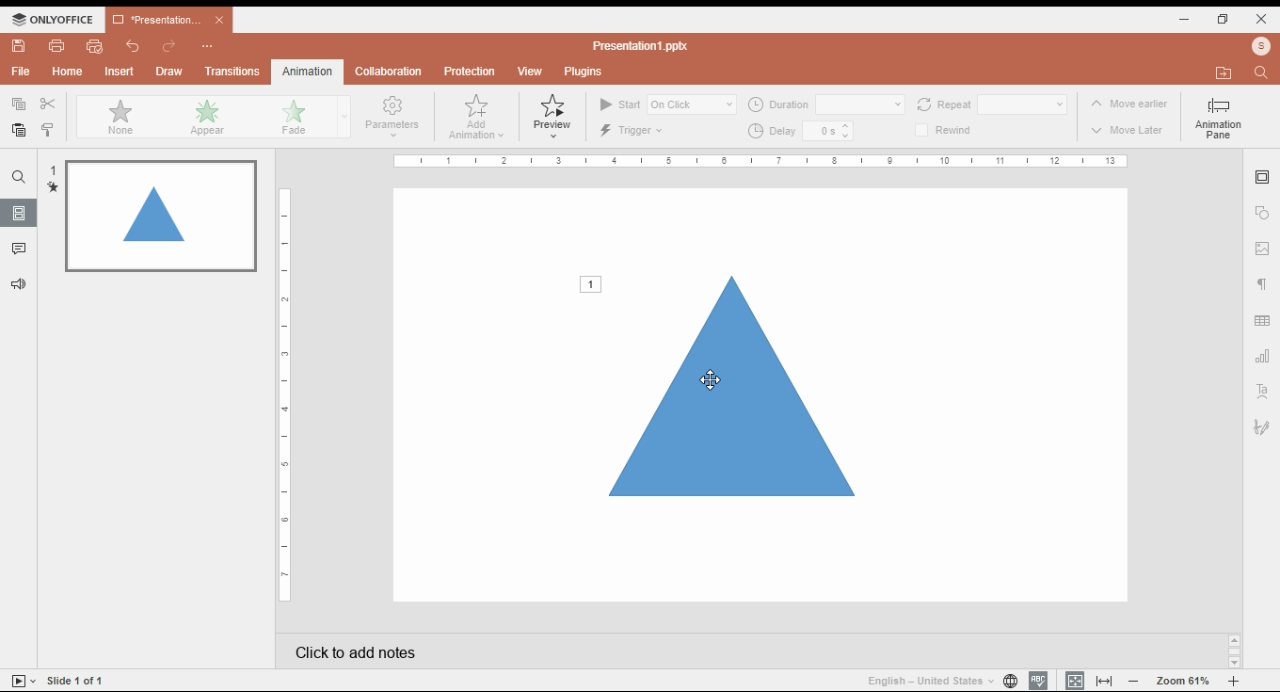 This screenshot has height=692, width=1280. What do you see at coordinates (1262, 390) in the screenshot?
I see `text art settings` at bounding box center [1262, 390].